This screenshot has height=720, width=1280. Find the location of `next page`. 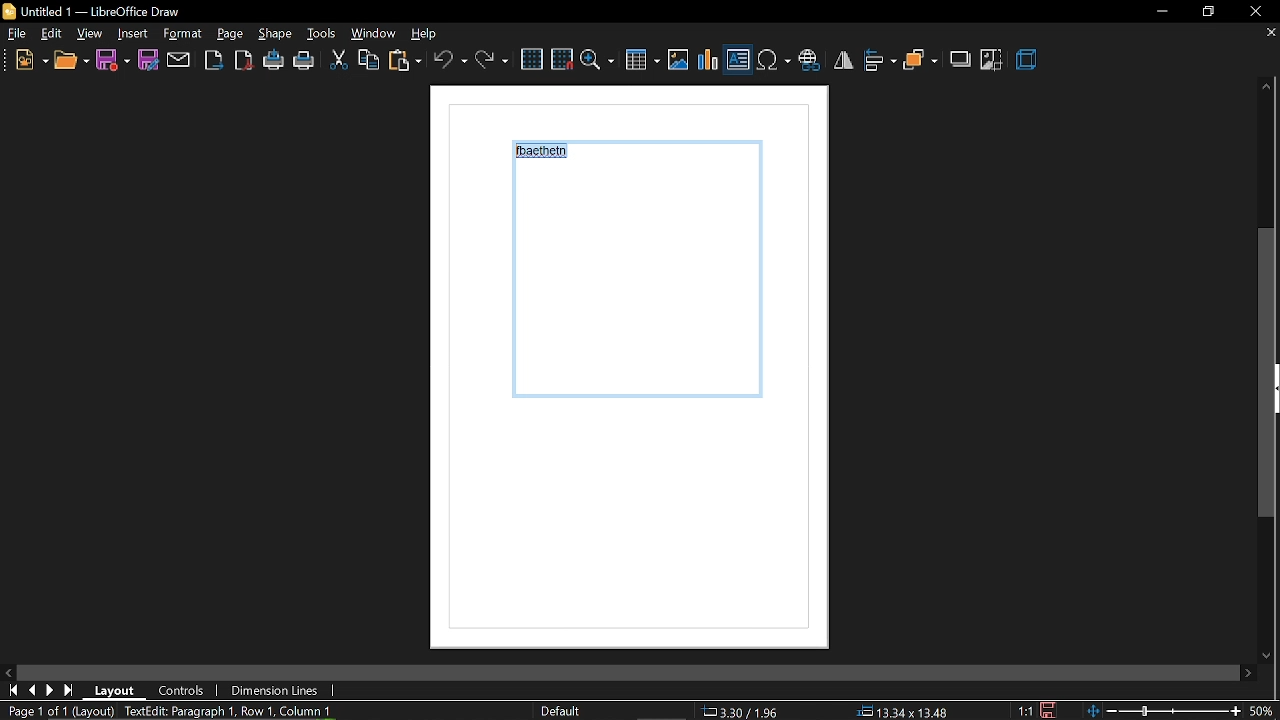

next page is located at coordinates (50, 690).